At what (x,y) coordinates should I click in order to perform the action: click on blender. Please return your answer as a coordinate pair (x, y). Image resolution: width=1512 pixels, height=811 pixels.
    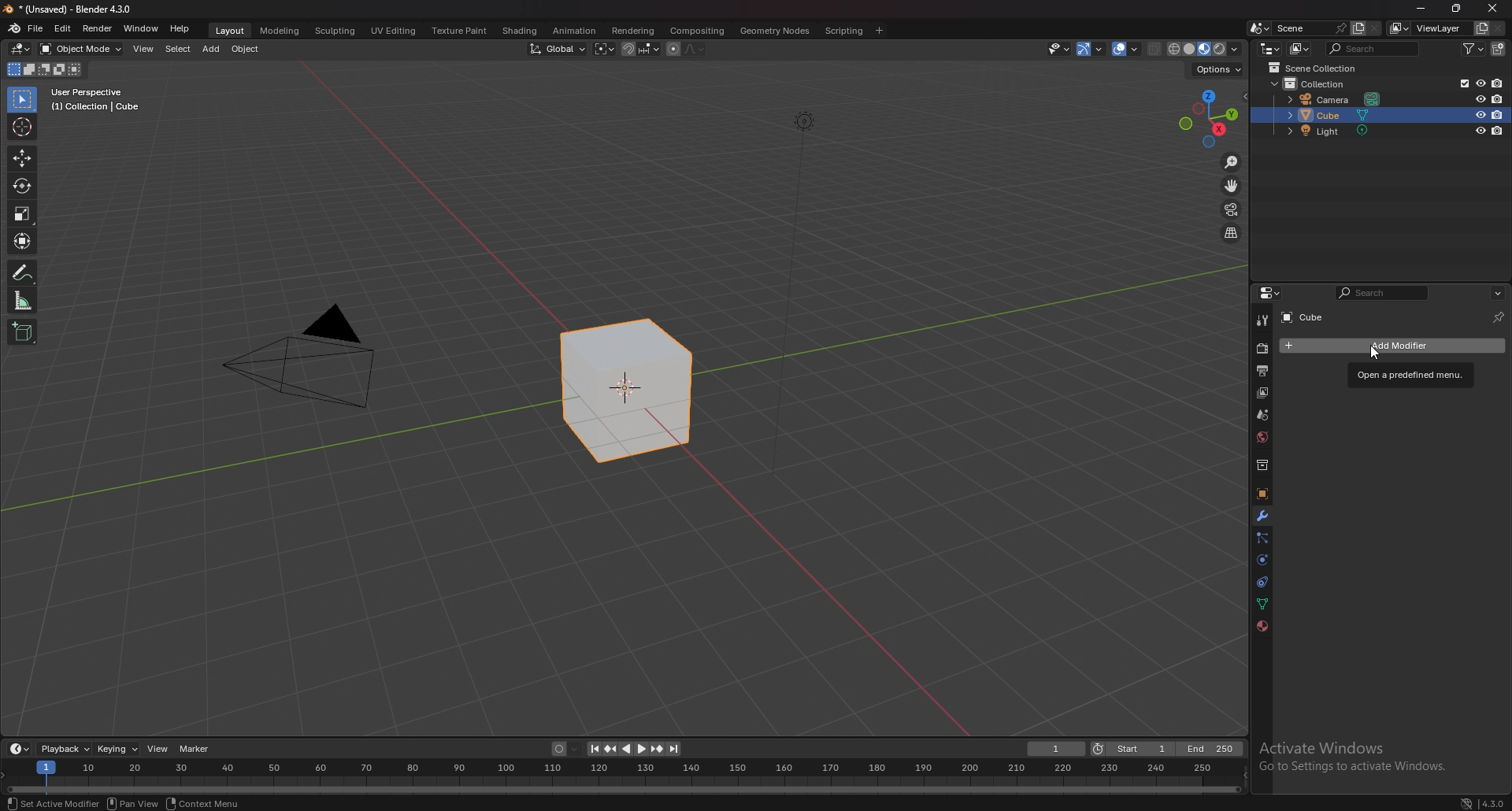
    Looking at the image, I should click on (14, 27).